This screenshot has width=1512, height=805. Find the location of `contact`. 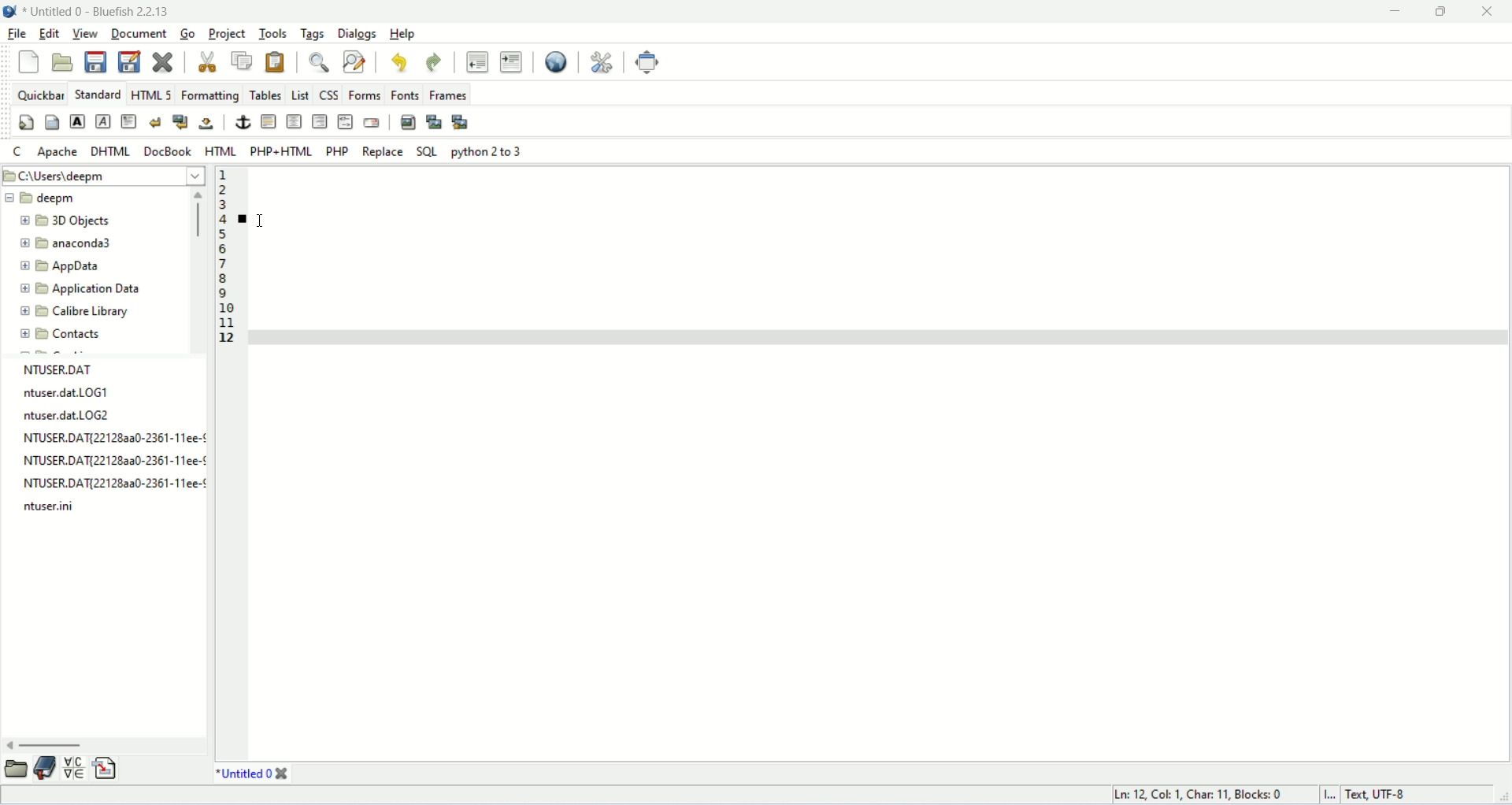

contact is located at coordinates (63, 336).